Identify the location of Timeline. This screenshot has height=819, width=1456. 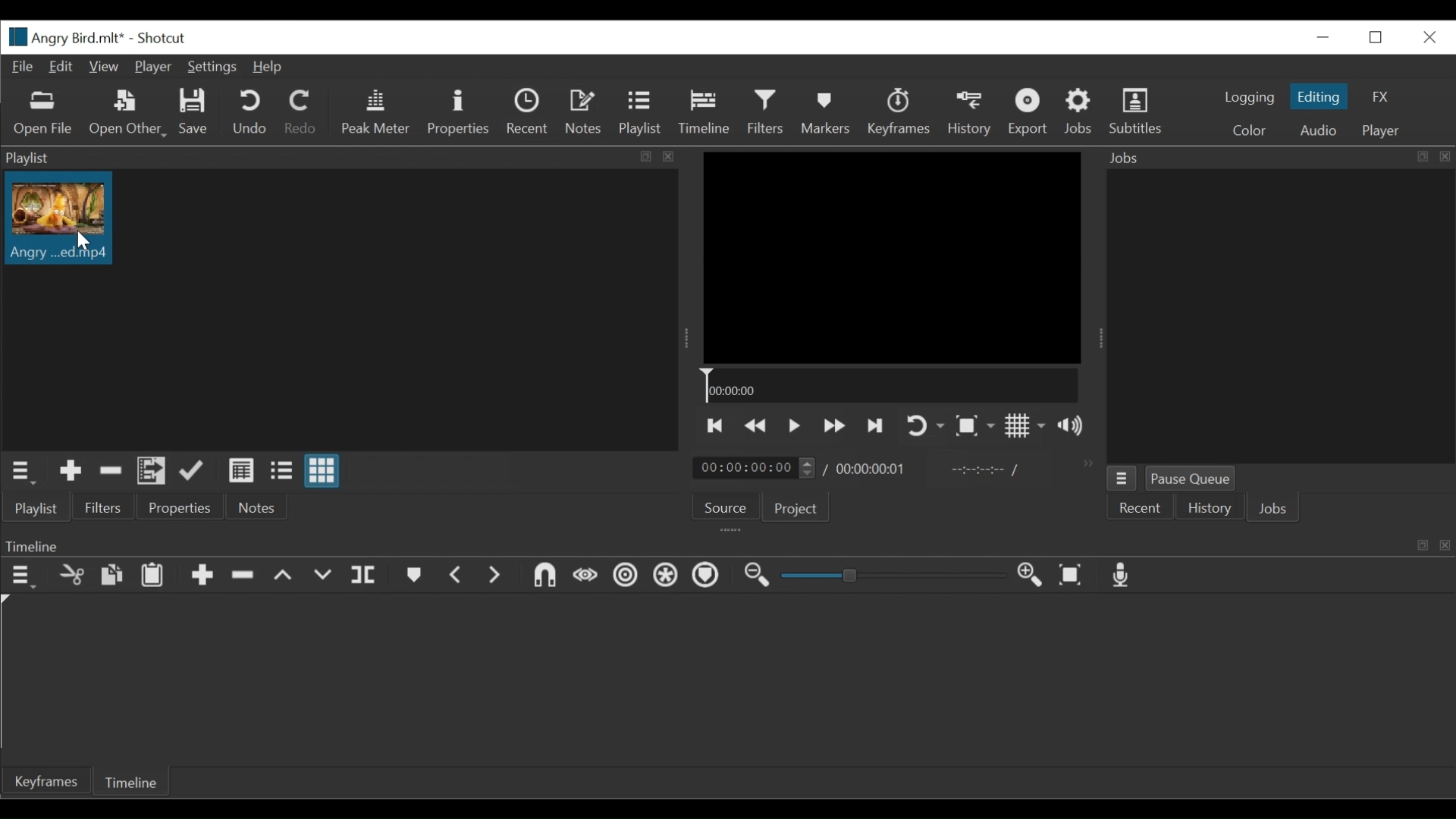
(704, 111).